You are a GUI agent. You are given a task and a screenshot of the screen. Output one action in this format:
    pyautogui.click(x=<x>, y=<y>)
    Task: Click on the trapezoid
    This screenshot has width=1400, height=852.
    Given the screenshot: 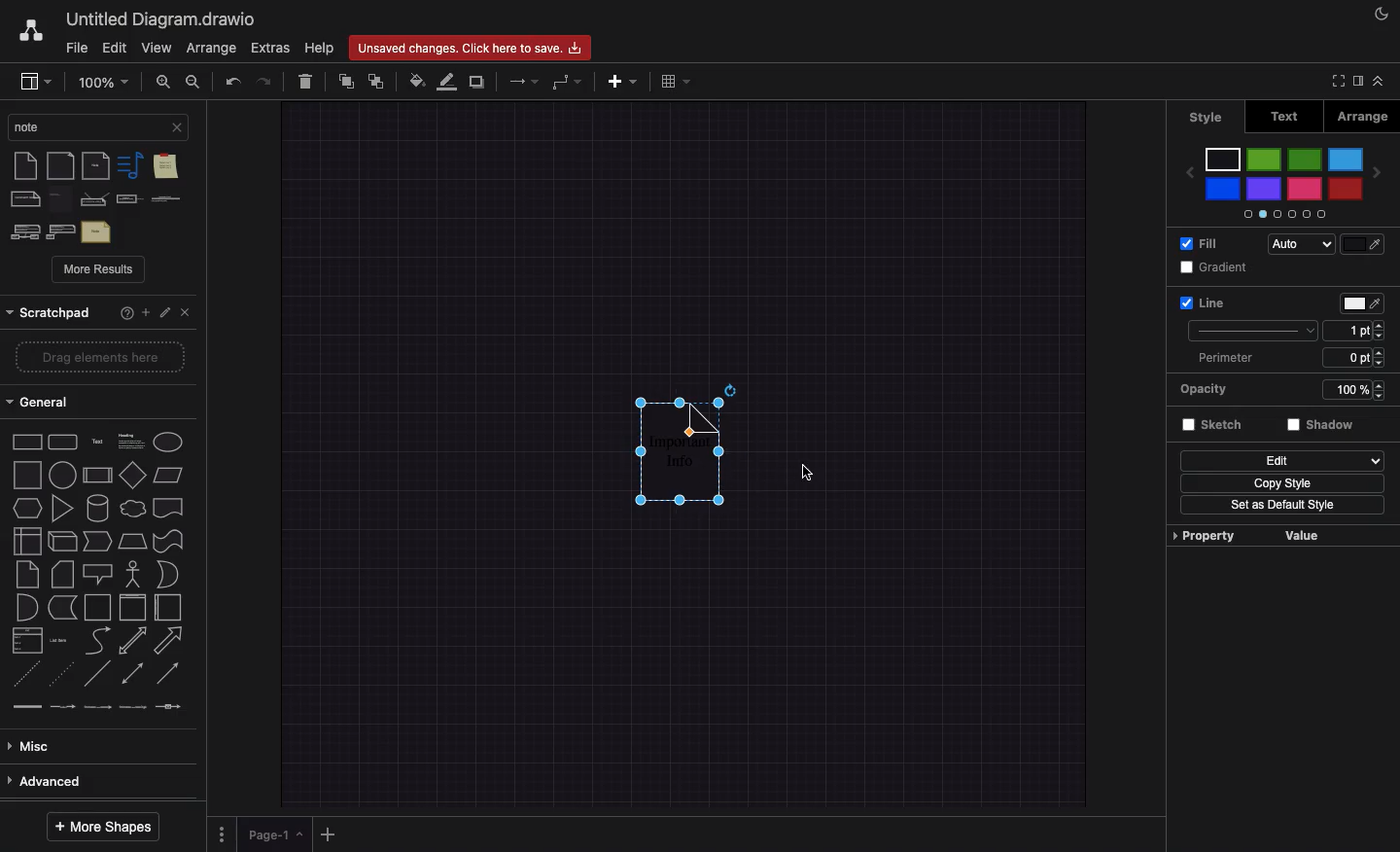 What is the action you would take?
    pyautogui.click(x=134, y=543)
    